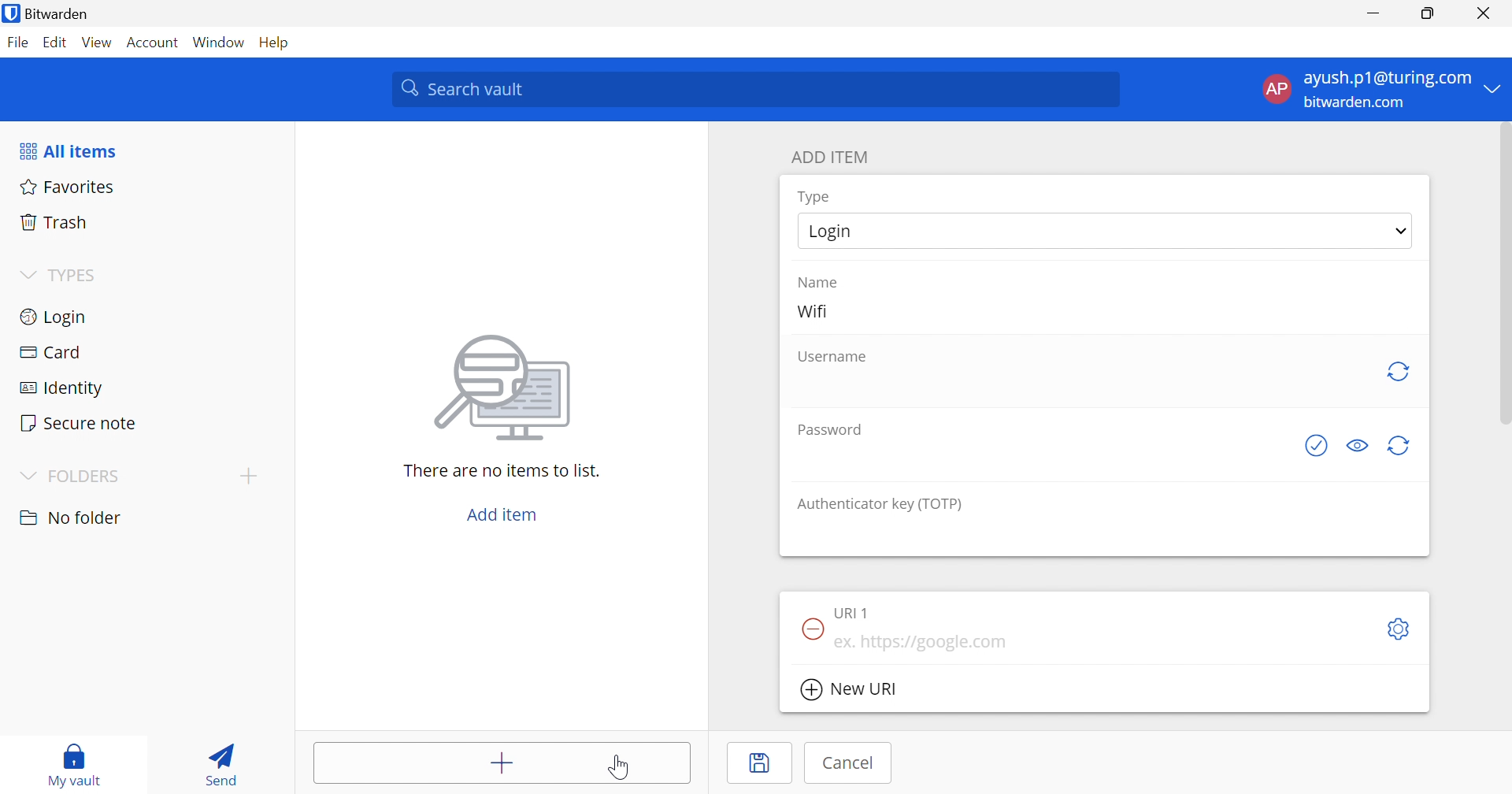  I want to click on Authenticator key (TOTP), so click(880, 504).